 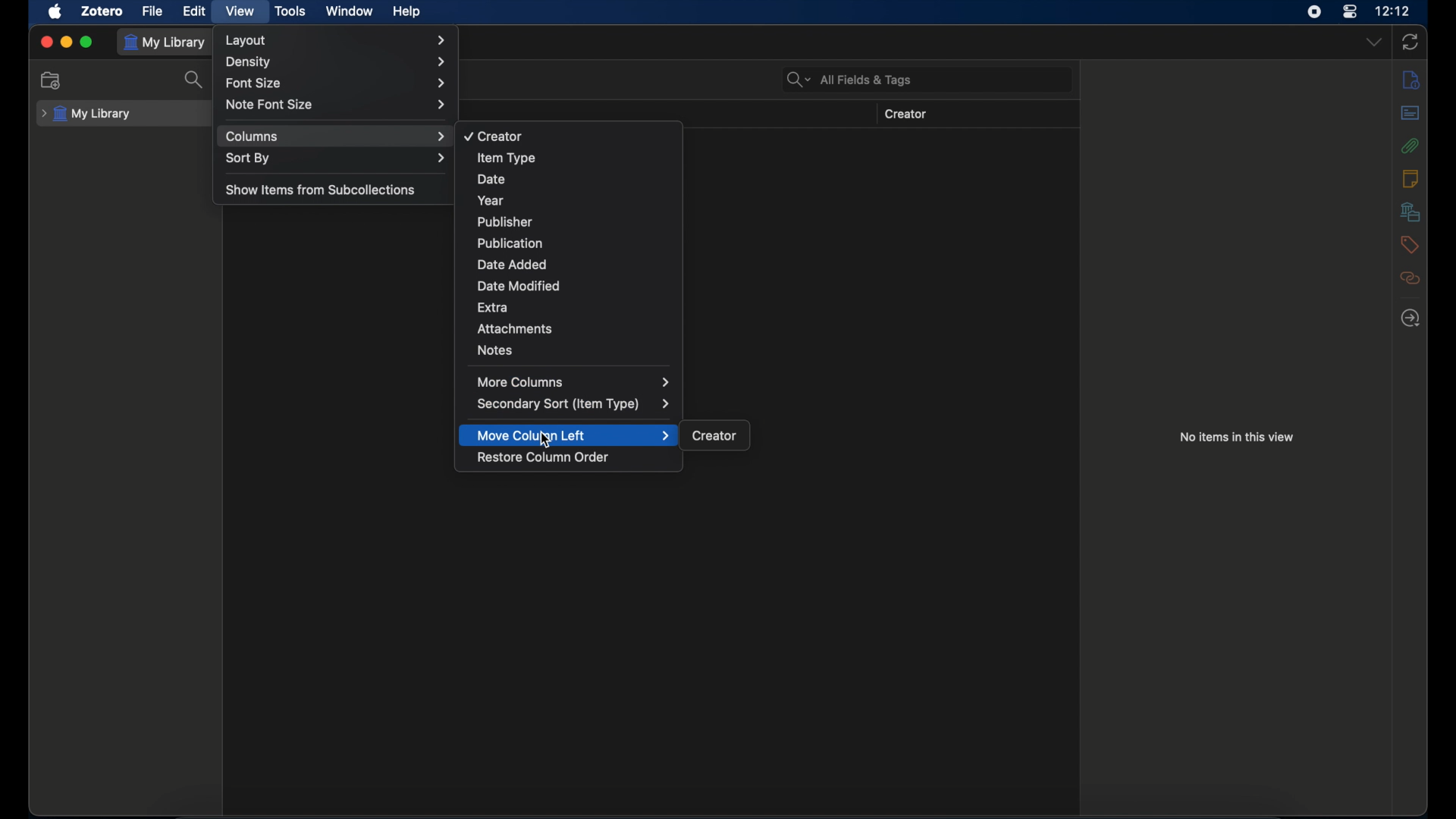 What do you see at coordinates (1410, 146) in the screenshot?
I see `attachments` at bounding box center [1410, 146].